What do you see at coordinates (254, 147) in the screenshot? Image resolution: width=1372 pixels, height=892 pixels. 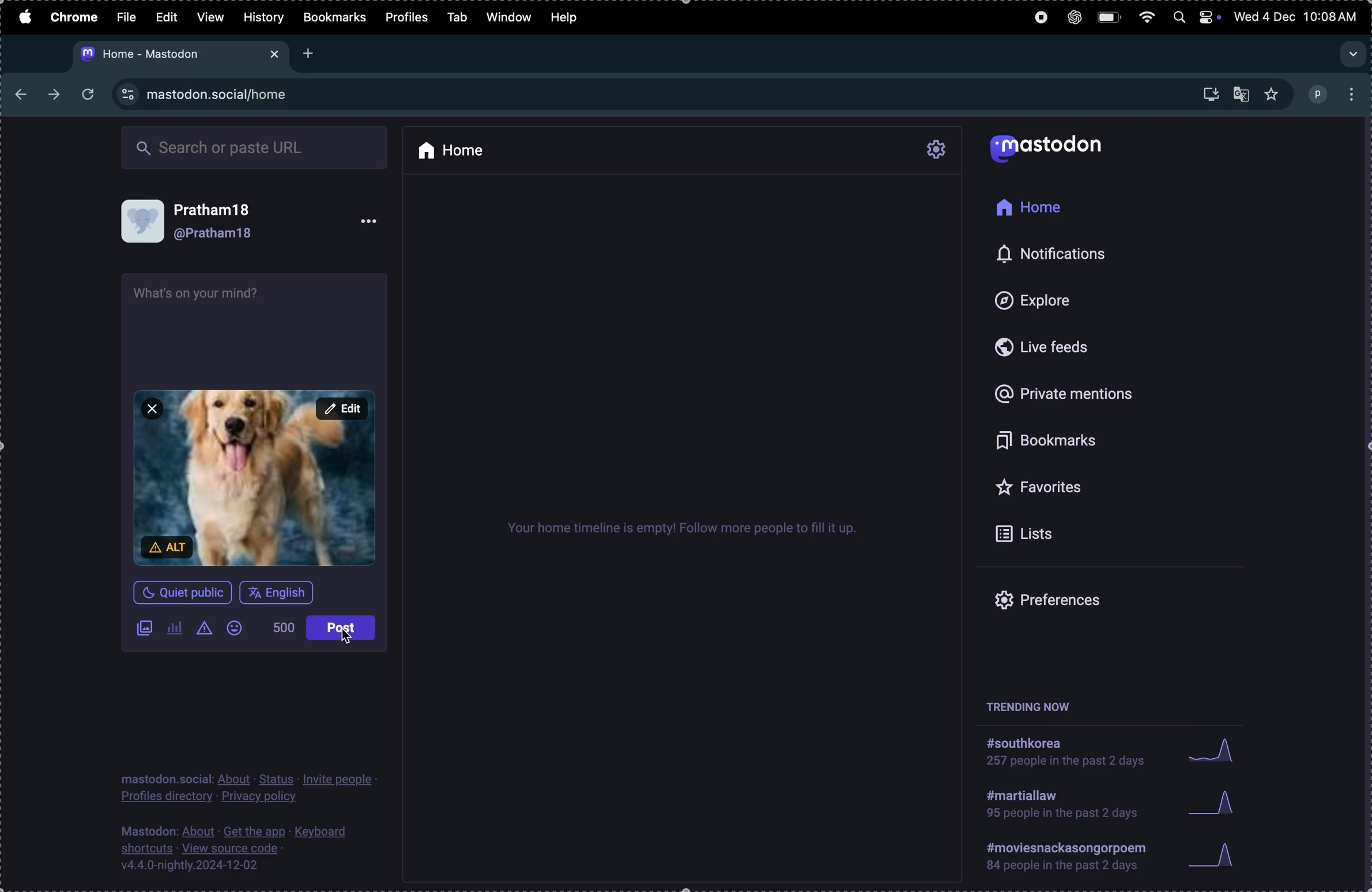 I see `Search or paste URL` at bounding box center [254, 147].